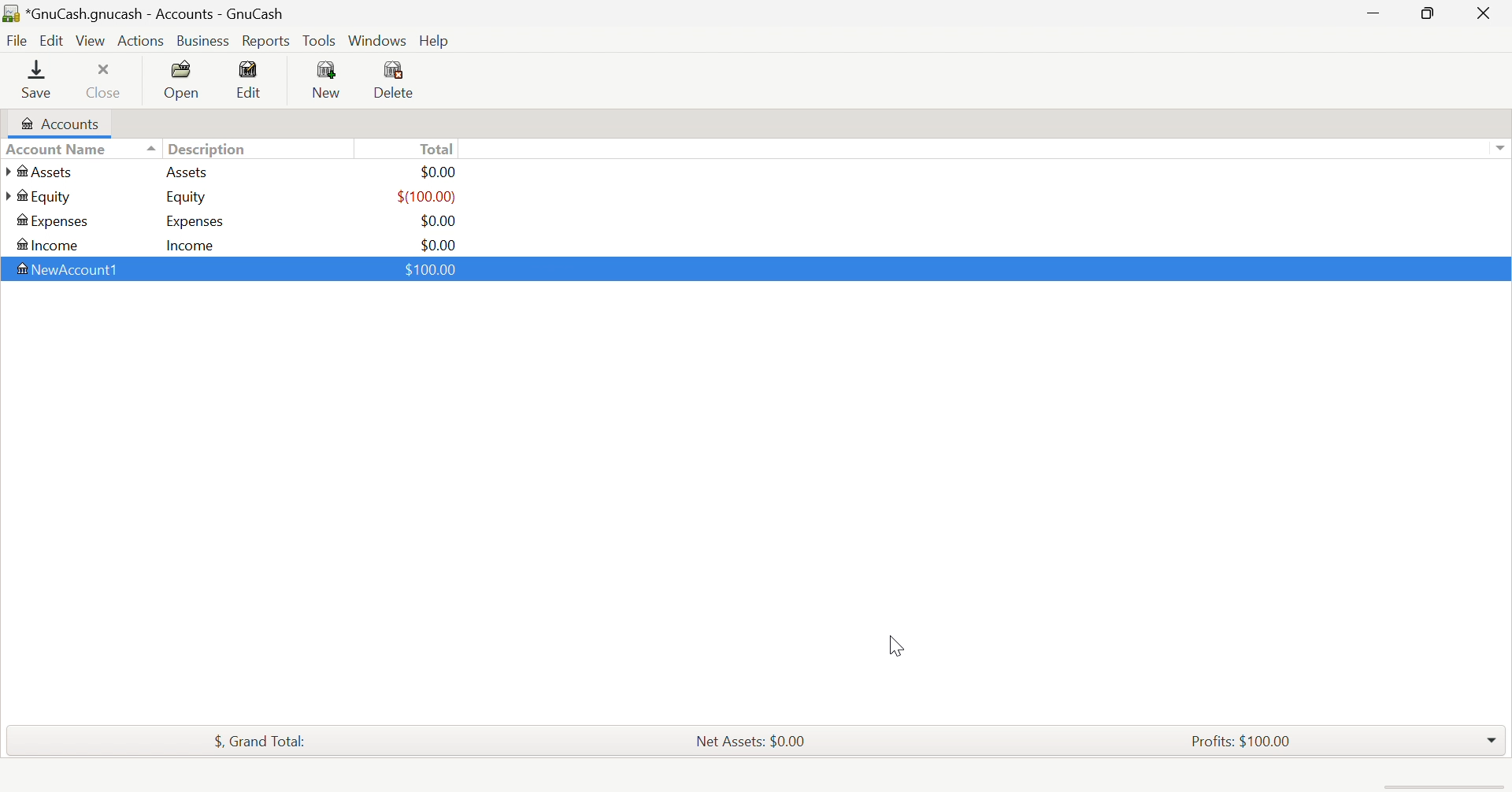 The width and height of the screenshot is (1512, 792). What do you see at coordinates (72, 269) in the screenshot?
I see `NewAccount1` at bounding box center [72, 269].